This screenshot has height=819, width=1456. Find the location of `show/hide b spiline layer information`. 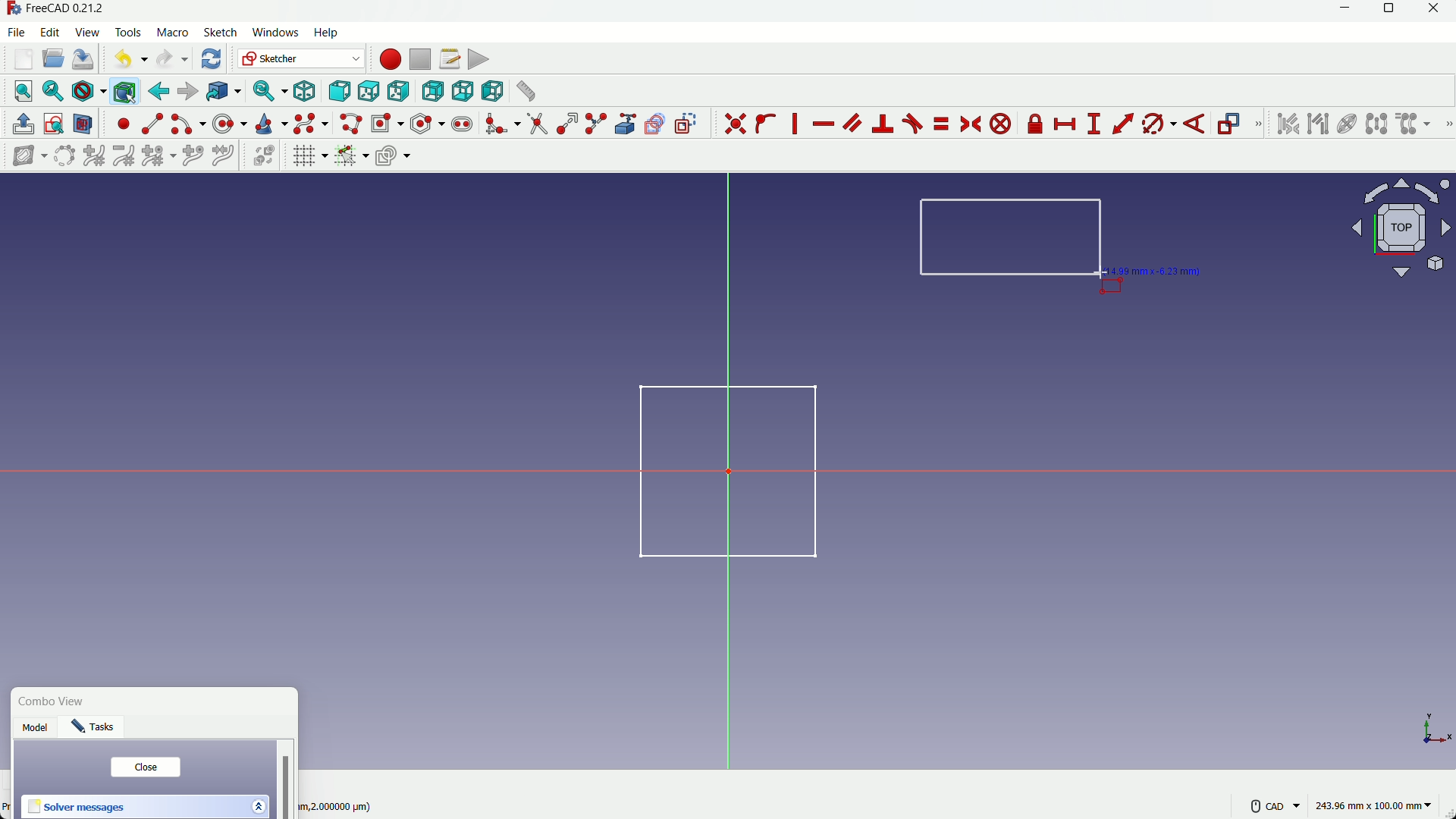

show/hide b spiline layer information is located at coordinates (23, 156).